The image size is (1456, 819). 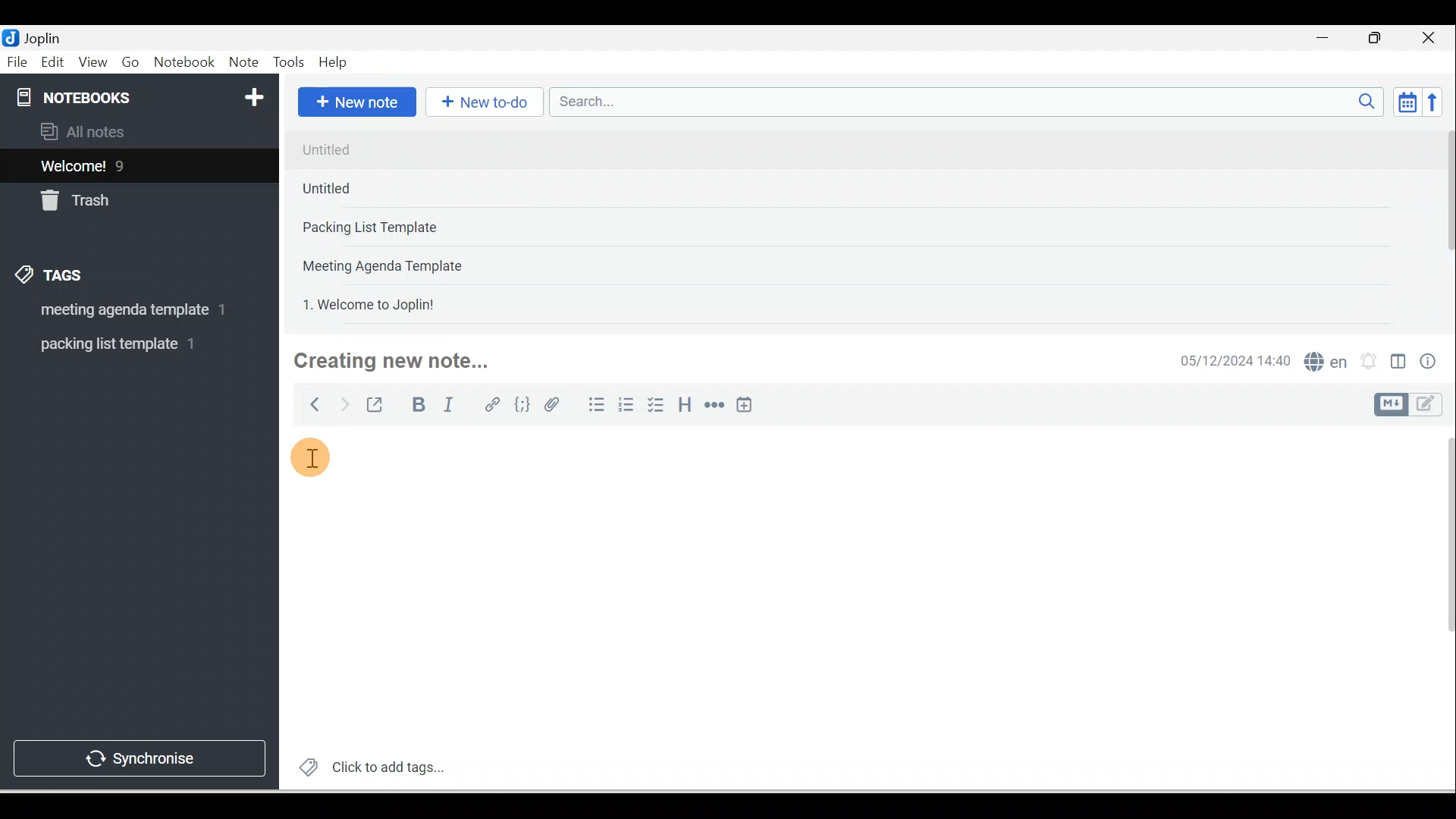 What do you see at coordinates (556, 404) in the screenshot?
I see `Attach file` at bounding box center [556, 404].